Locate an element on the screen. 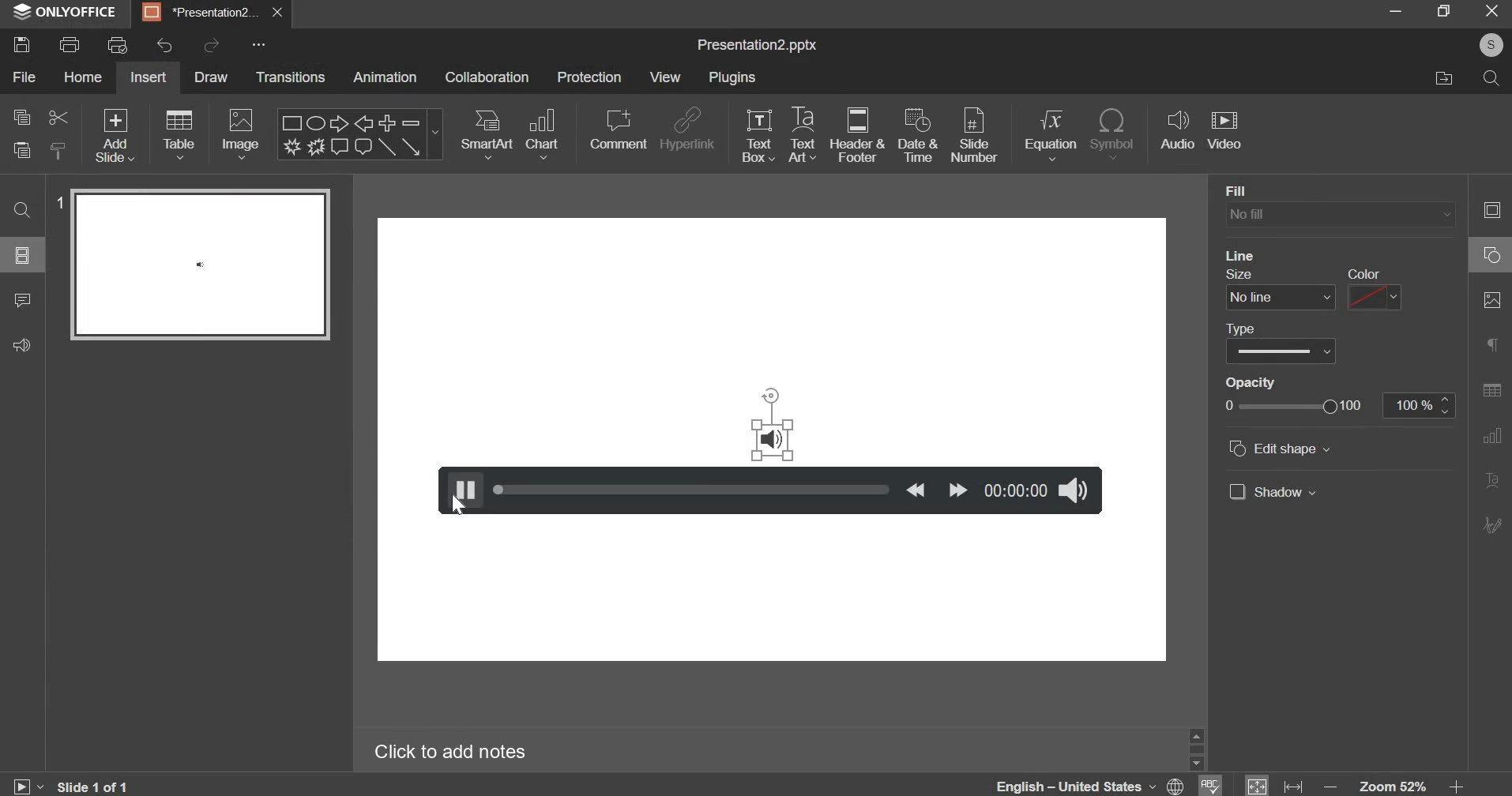  chart settings is located at coordinates (1491, 436).